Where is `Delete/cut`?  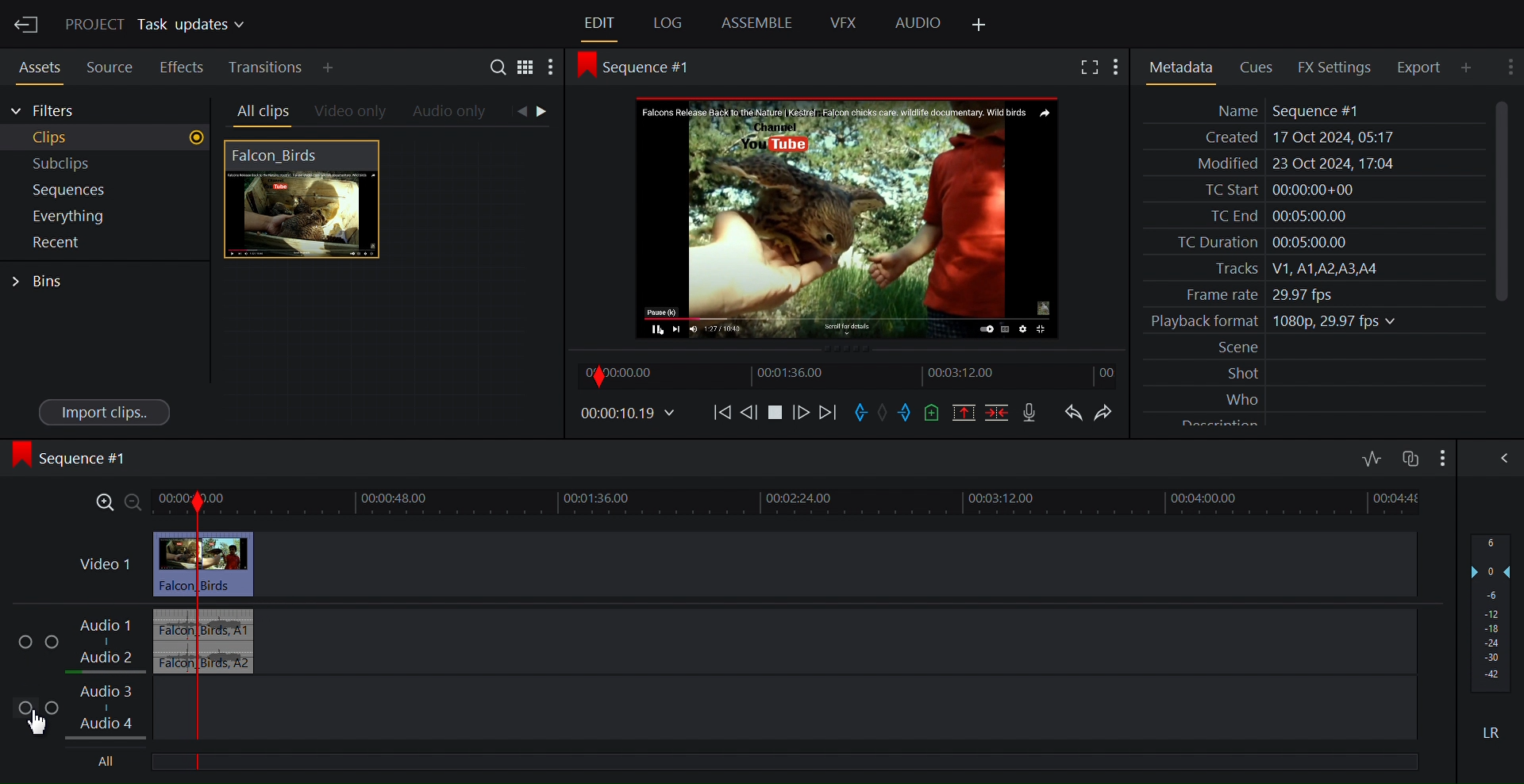
Delete/cut is located at coordinates (999, 413).